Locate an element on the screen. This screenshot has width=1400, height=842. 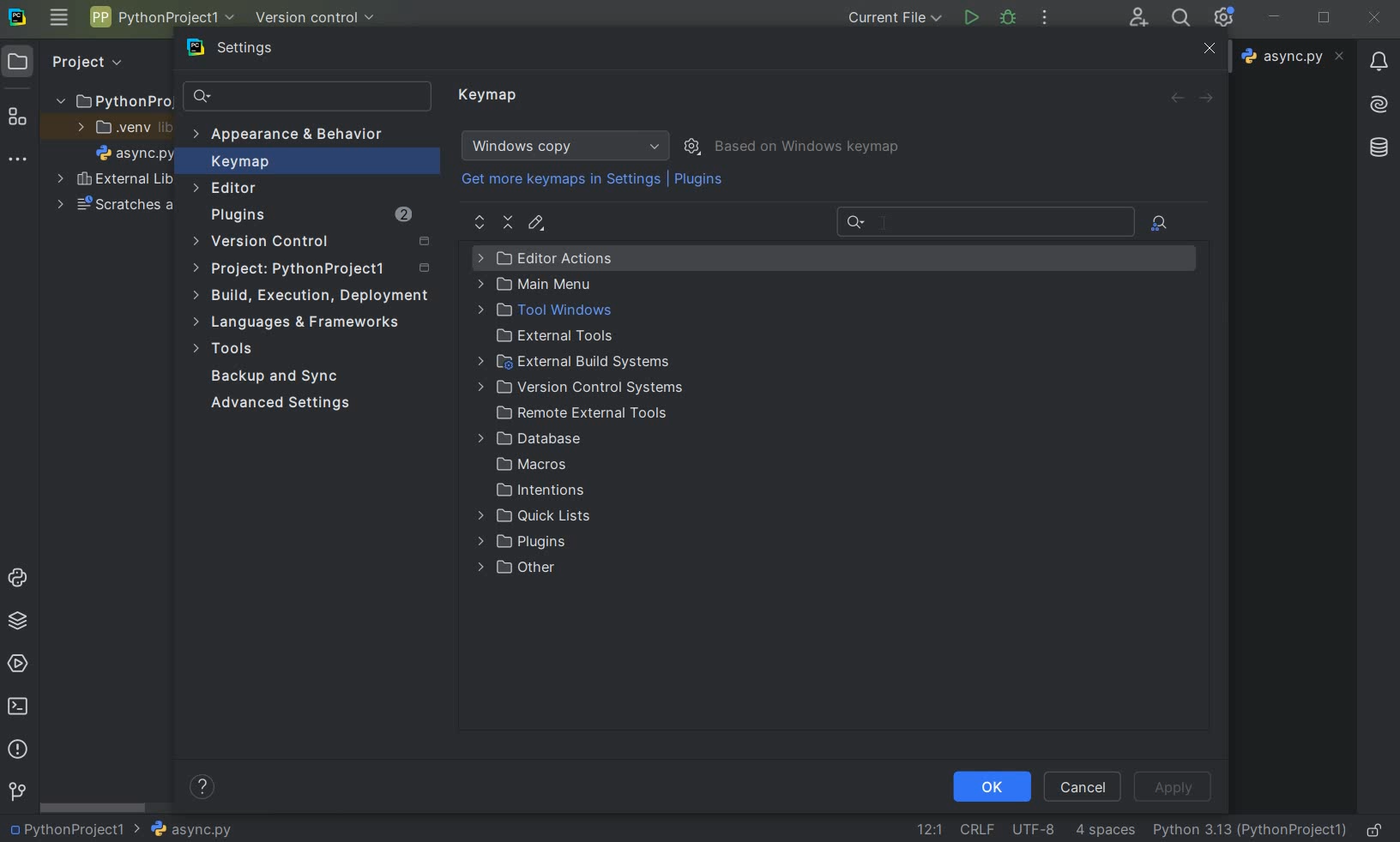
file name is located at coordinates (183, 829).